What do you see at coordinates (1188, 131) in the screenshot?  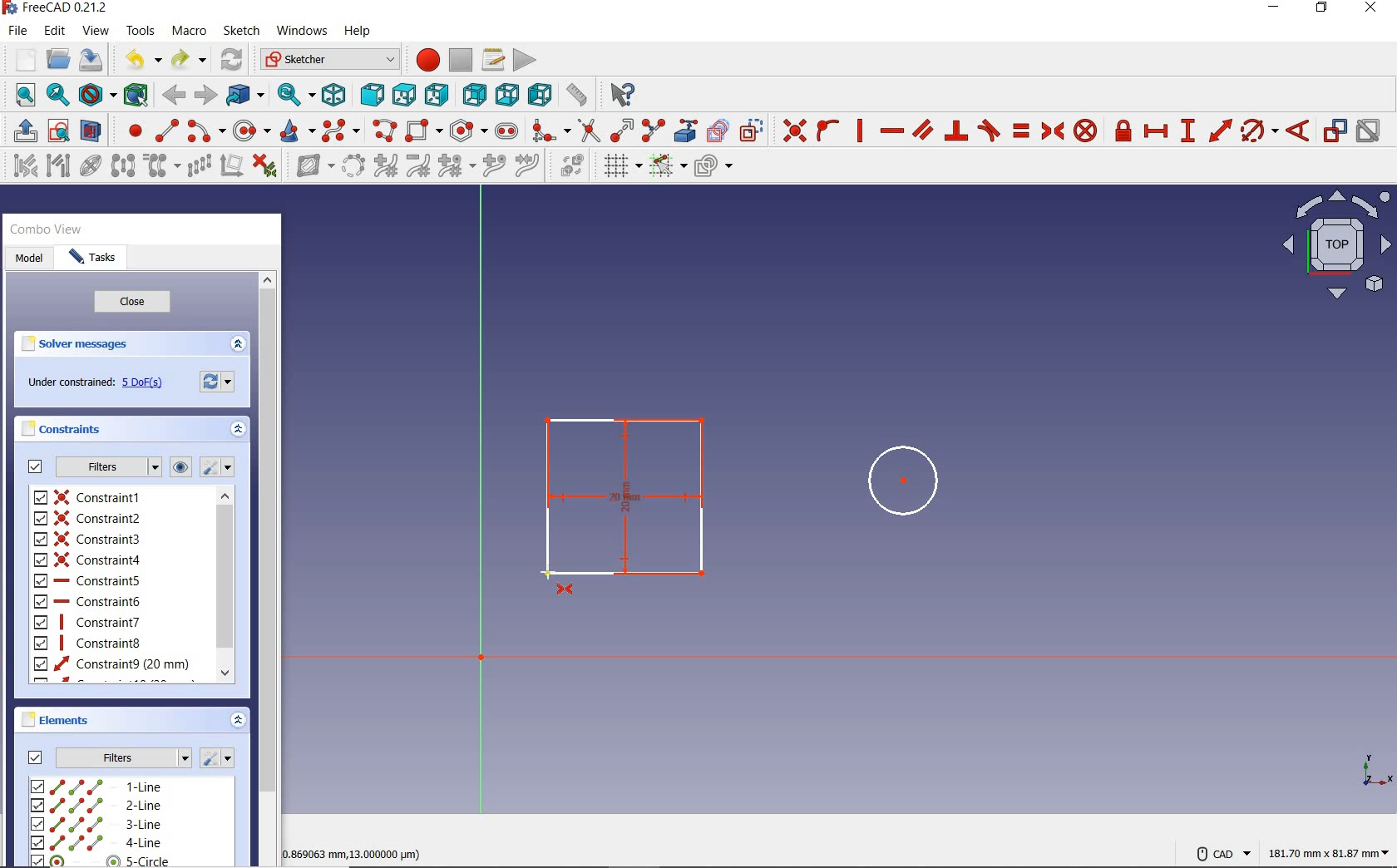 I see `constraint vertical distance` at bounding box center [1188, 131].